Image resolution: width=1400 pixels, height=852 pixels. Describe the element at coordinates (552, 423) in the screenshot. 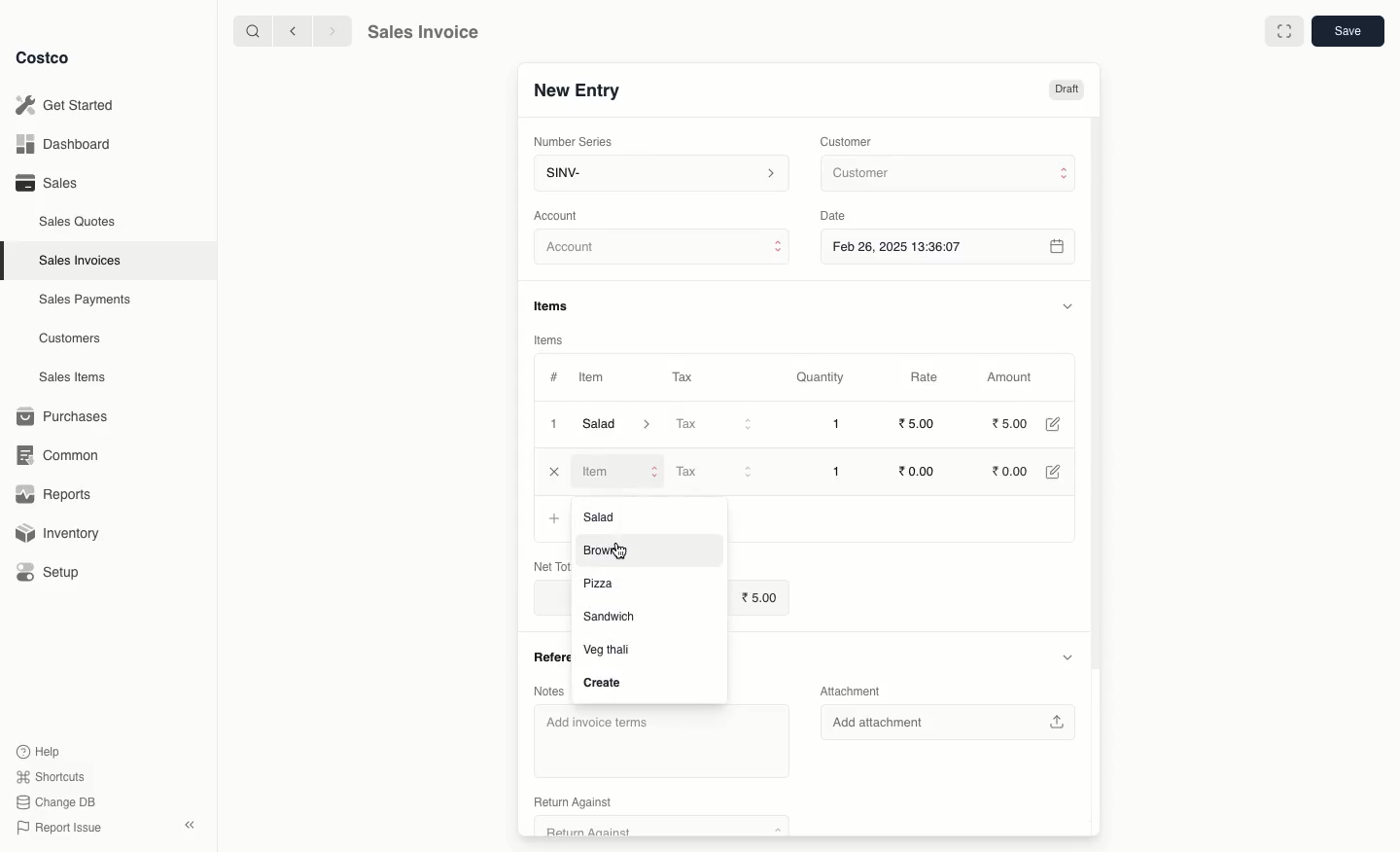

I see `1` at that location.